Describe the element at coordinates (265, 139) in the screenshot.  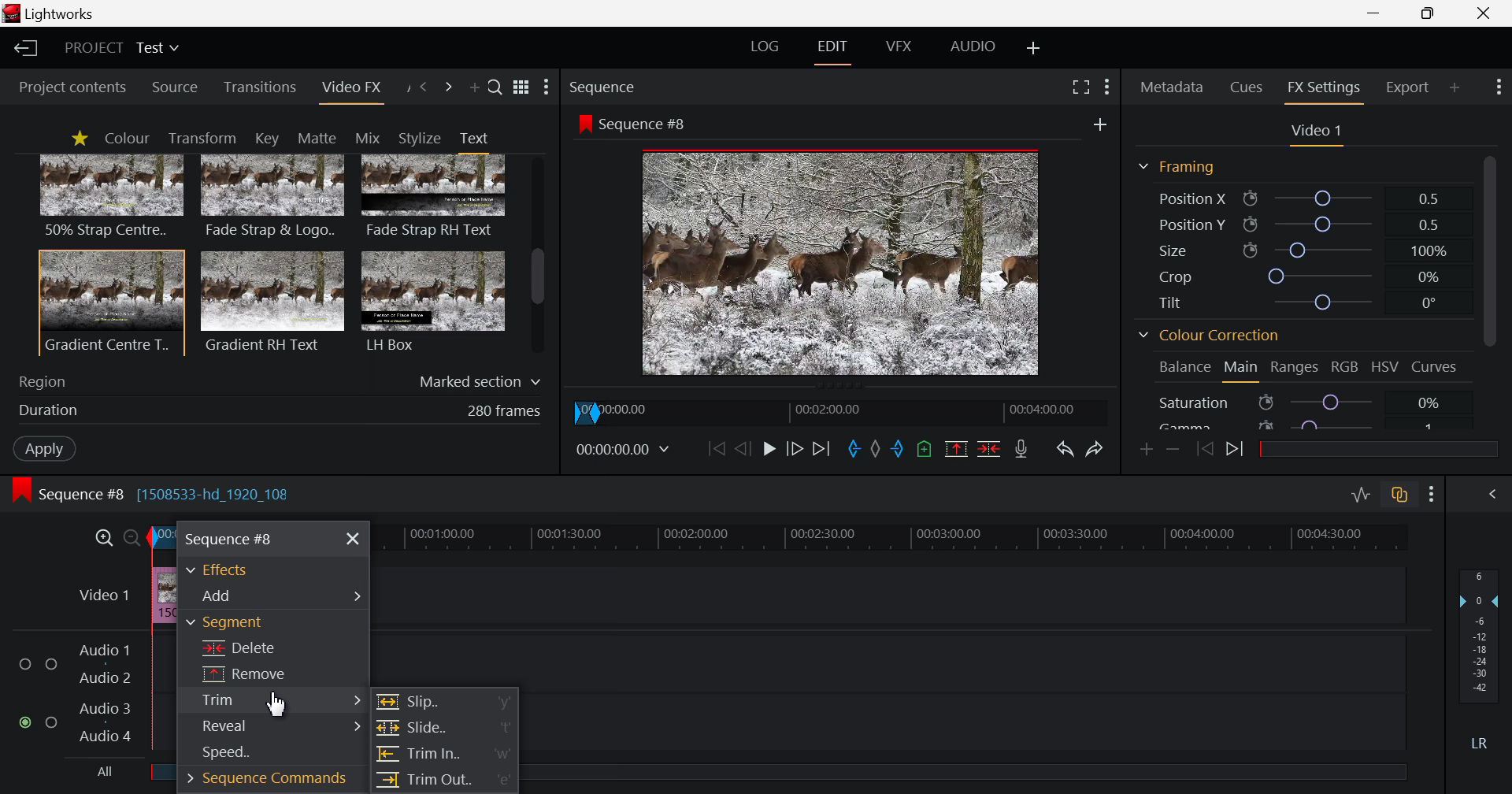
I see `Key` at that location.